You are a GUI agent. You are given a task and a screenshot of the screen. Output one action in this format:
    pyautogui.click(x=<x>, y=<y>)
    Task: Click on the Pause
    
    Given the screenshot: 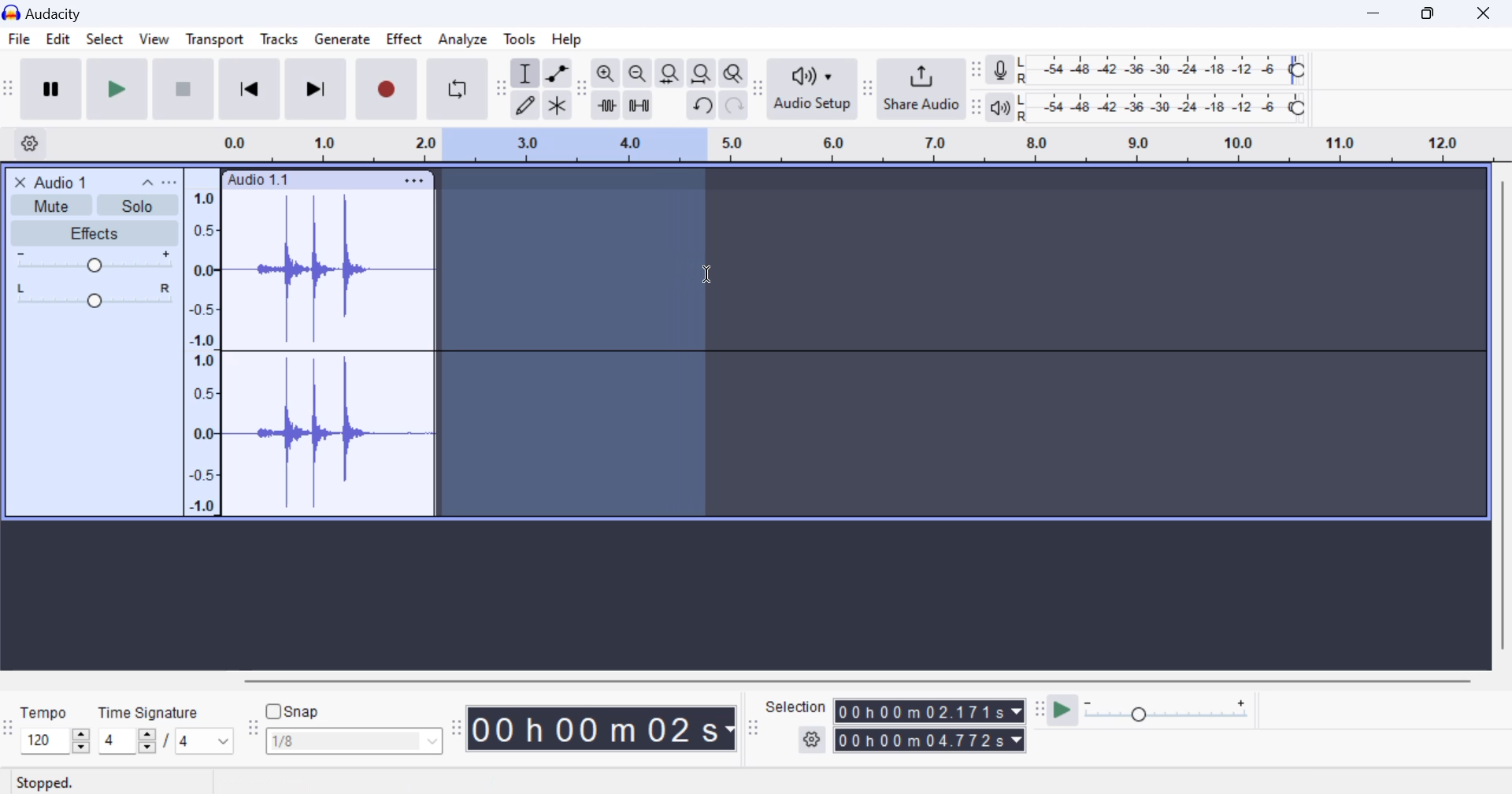 What is the action you would take?
    pyautogui.click(x=50, y=89)
    